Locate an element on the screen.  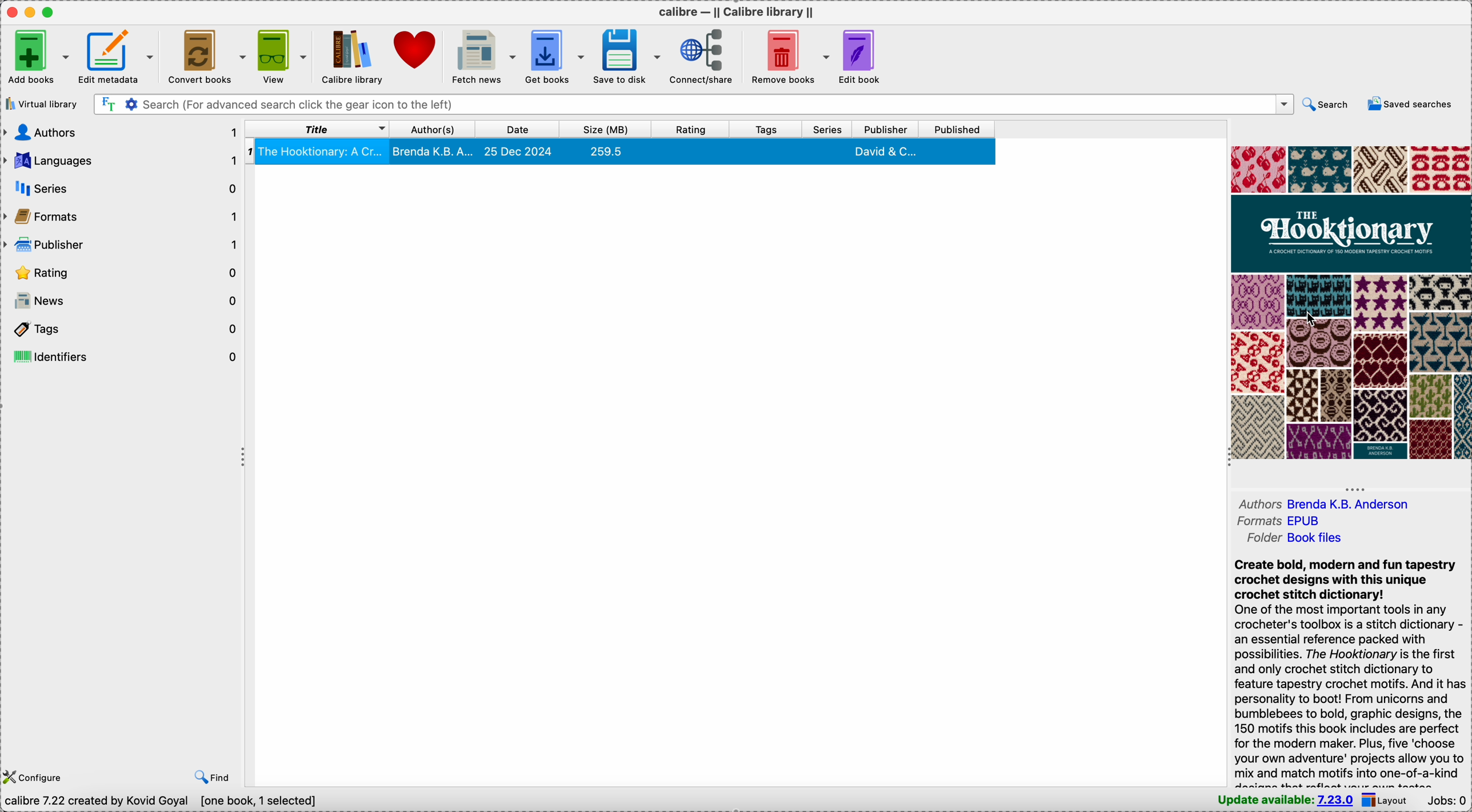
news is located at coordinates (122, 301).